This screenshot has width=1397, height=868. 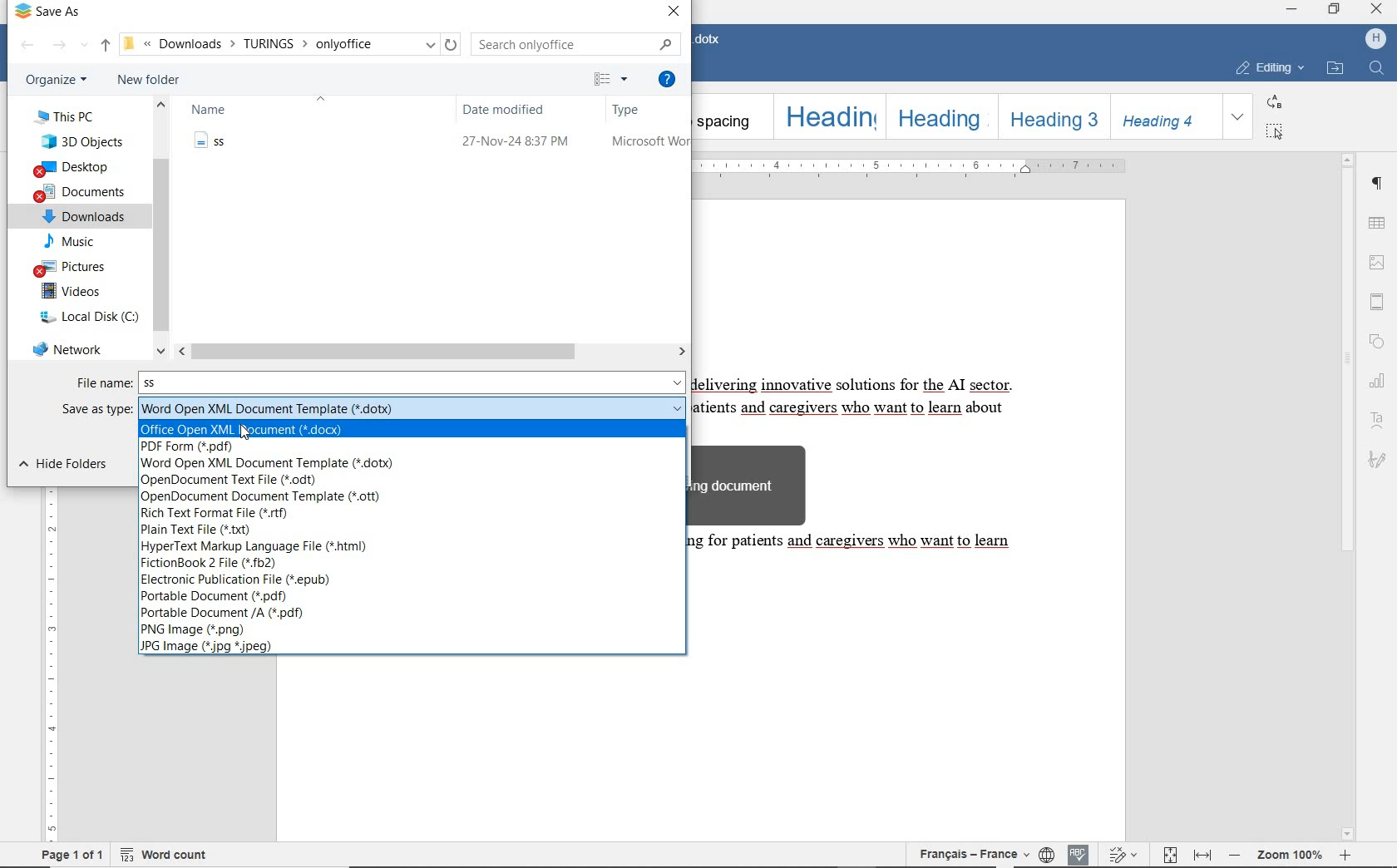 What do you see at coordinates (220, 562) in the screenshot?
I see `fb2` at bounding box center [220, 562].